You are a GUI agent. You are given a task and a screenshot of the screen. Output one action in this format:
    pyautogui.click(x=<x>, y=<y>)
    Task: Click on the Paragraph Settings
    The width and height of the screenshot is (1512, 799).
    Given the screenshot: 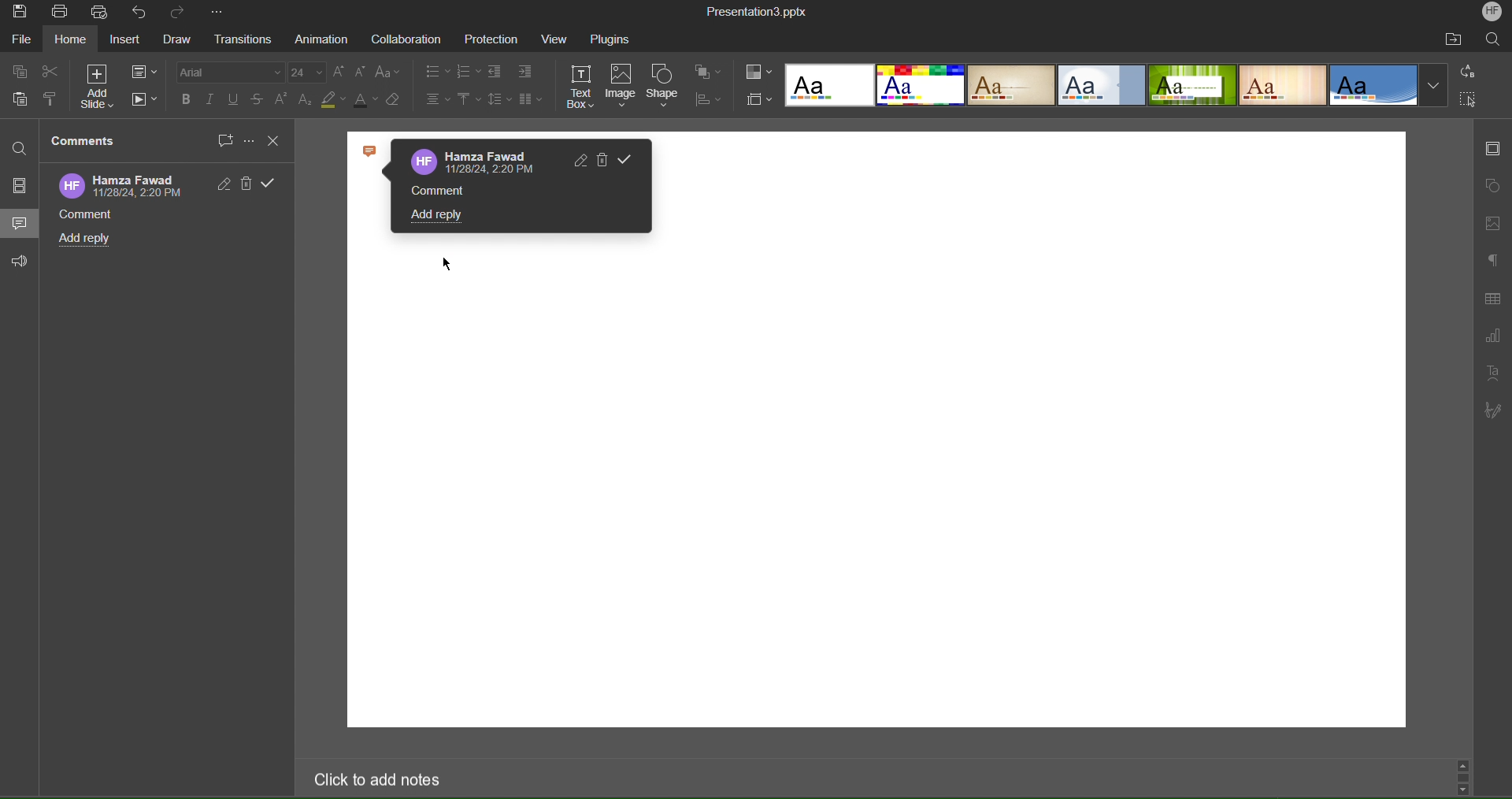 What is the action you would take?
    pyautogui.click(x=1492, y=258)
    